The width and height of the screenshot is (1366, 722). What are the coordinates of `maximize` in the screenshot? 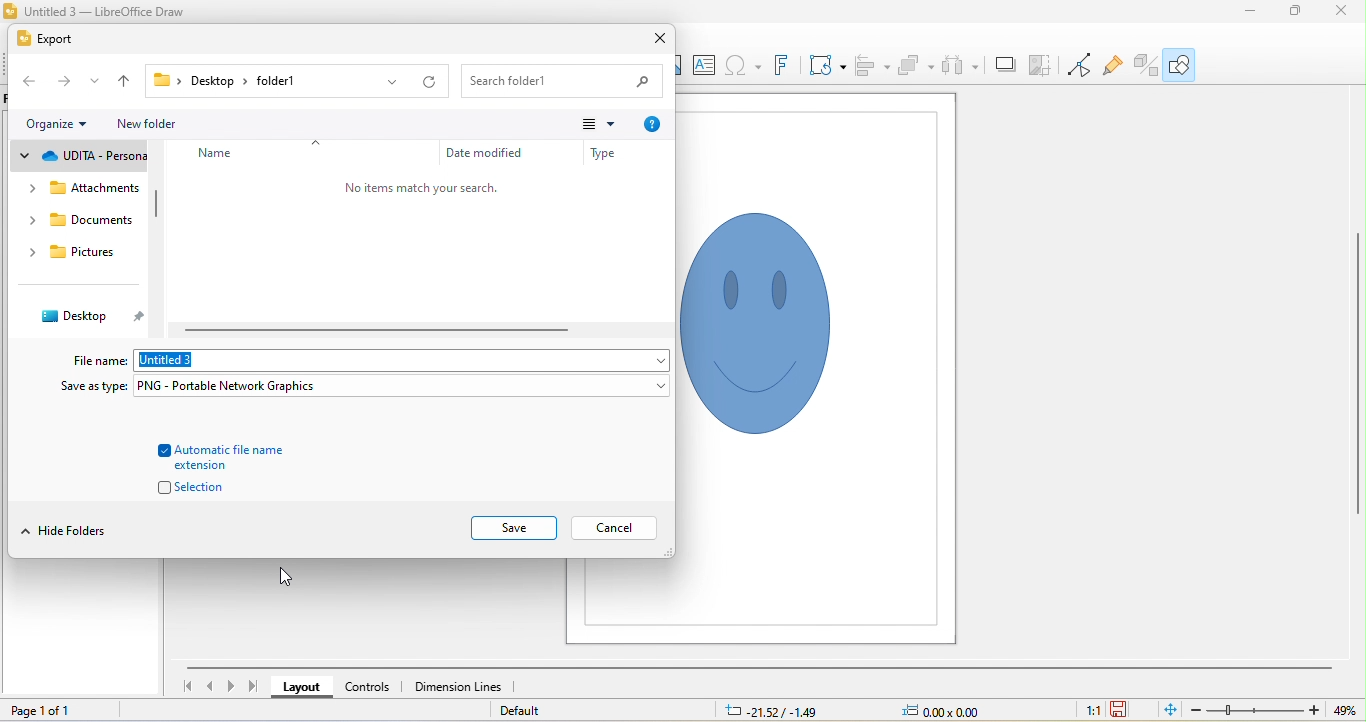 It's located at (1293, 11).